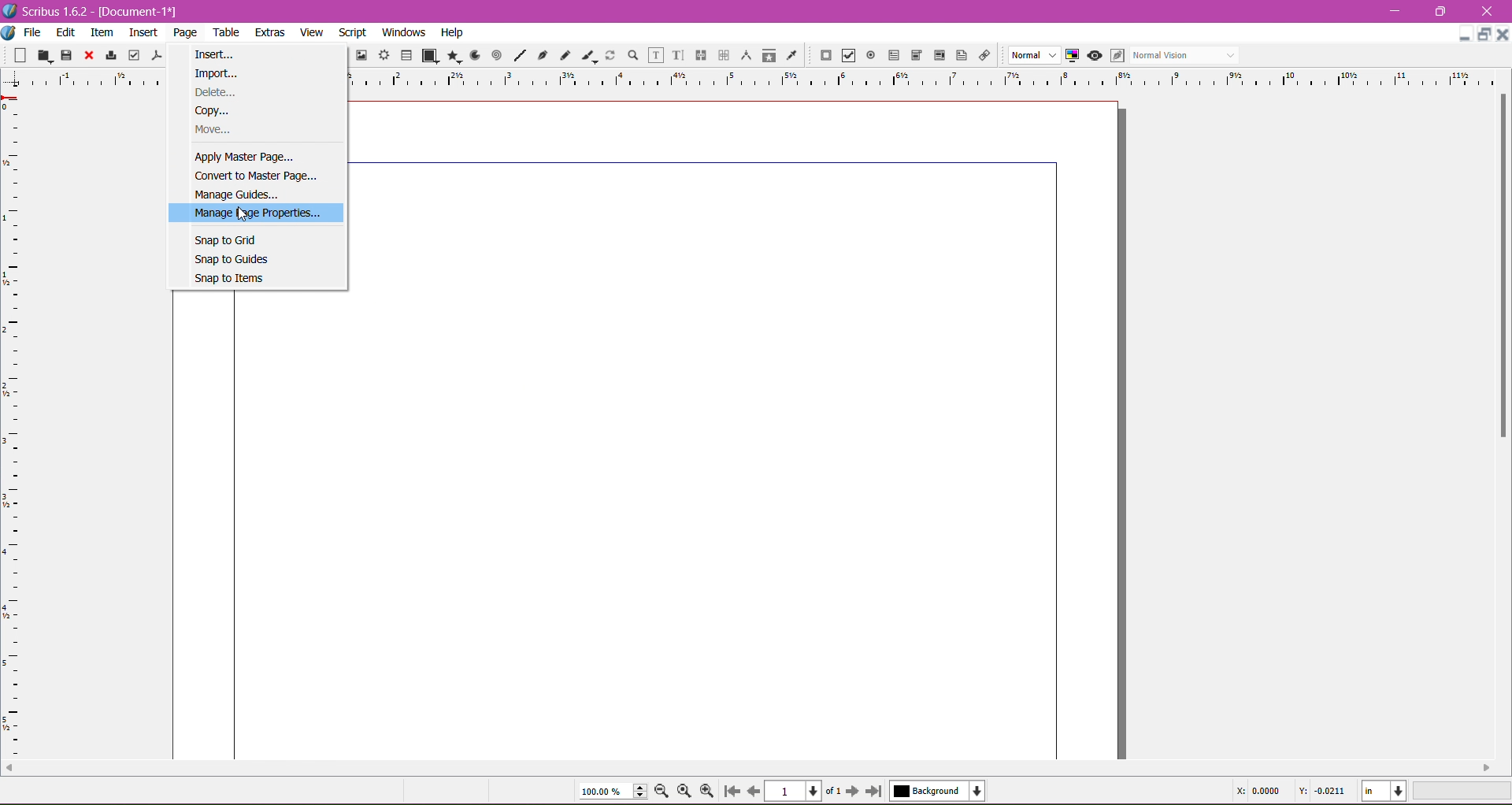 This screenshot has width=1512, height=805. I want to click on Copy Item Properties, so click(769, 55).